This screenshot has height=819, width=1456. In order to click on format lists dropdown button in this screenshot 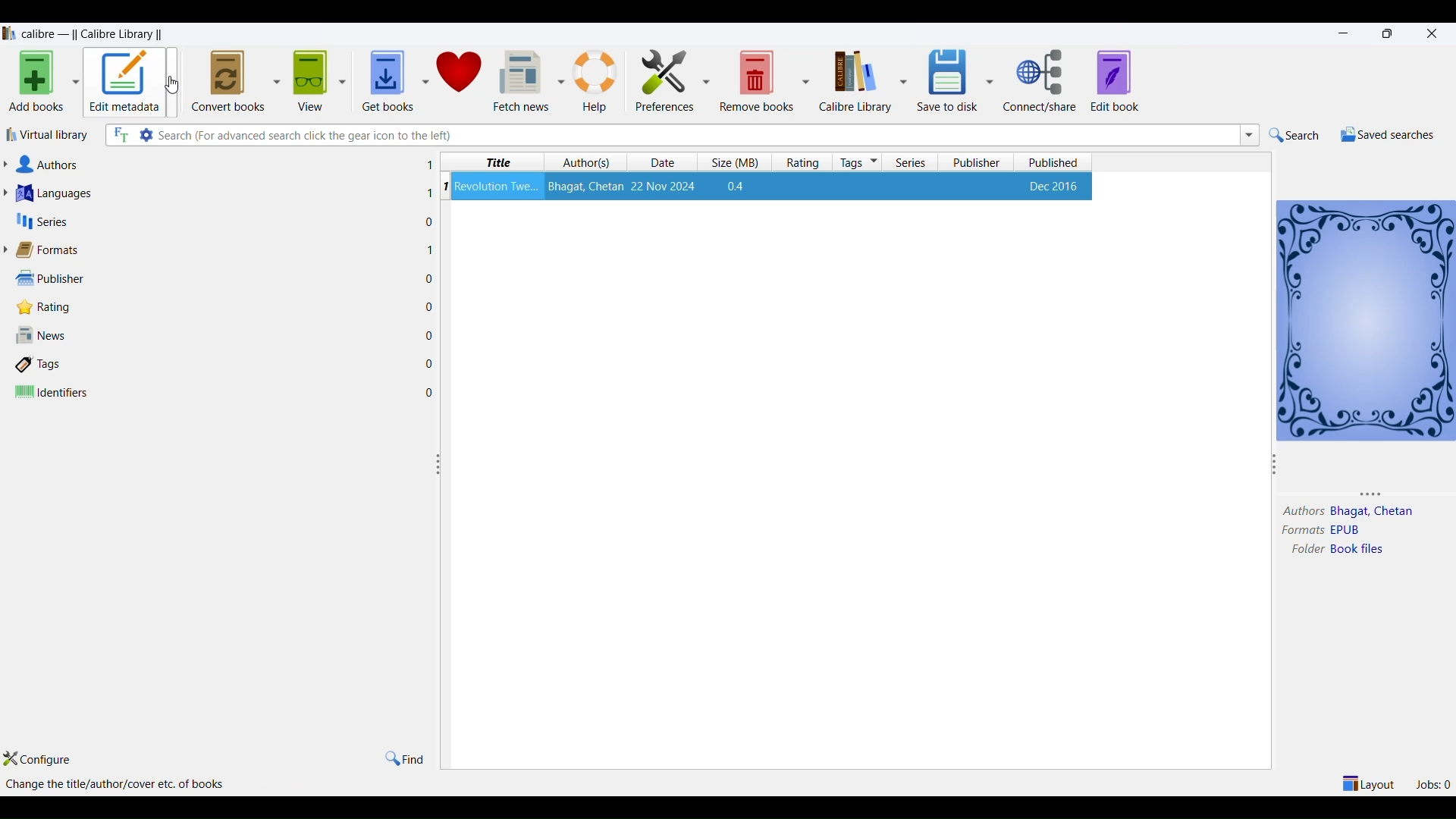, I will do `click(9, 249)`.